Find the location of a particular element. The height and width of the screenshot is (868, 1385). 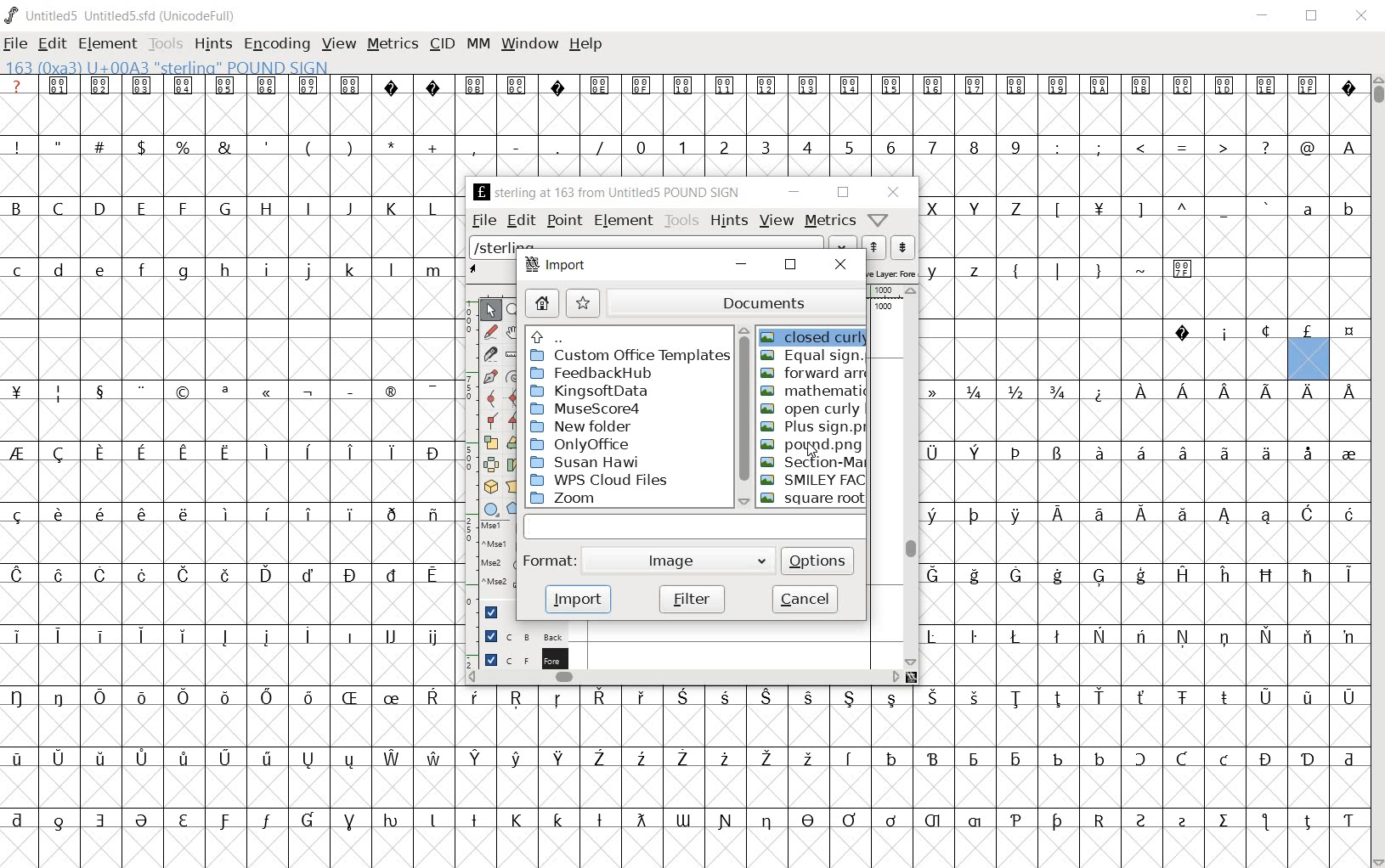

Symbol is located at coordinates (349, 698).